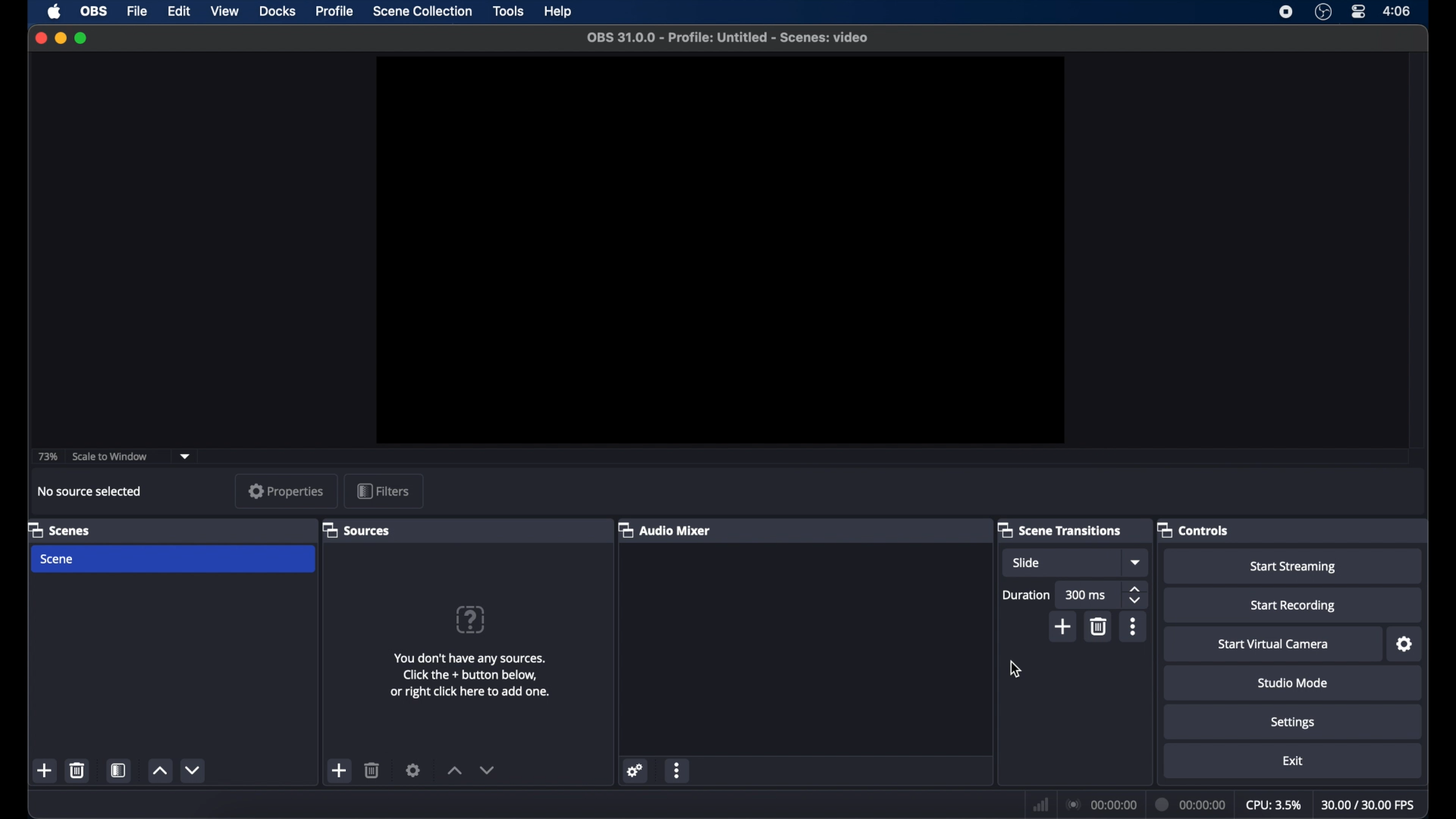 This screenshot has width=1456, height=819. Describe the element at coordinates (1027, 596) in the screenshot. I see `duration` at that location.